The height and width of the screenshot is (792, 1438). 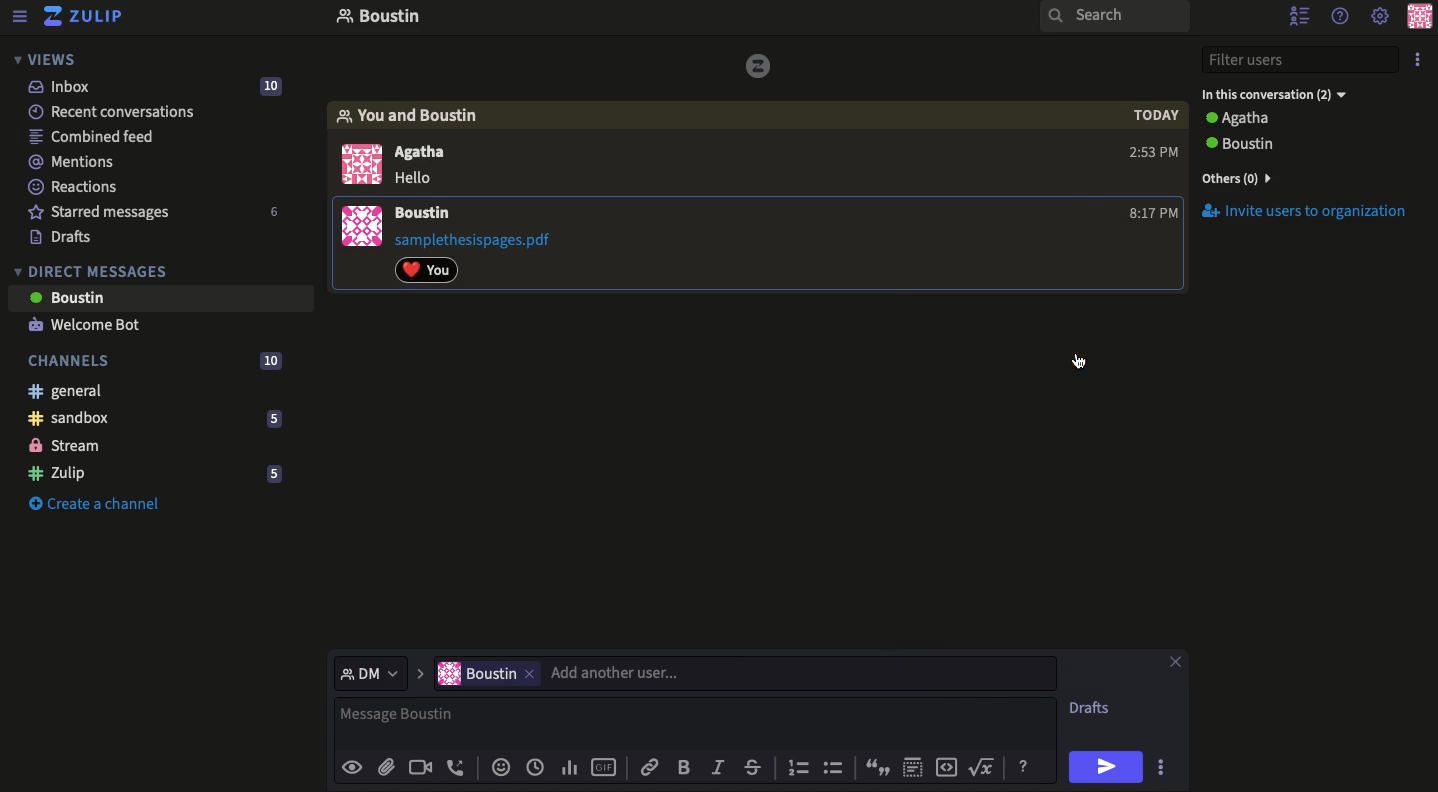 I want to click on Quote, so click(x=877, y=767).